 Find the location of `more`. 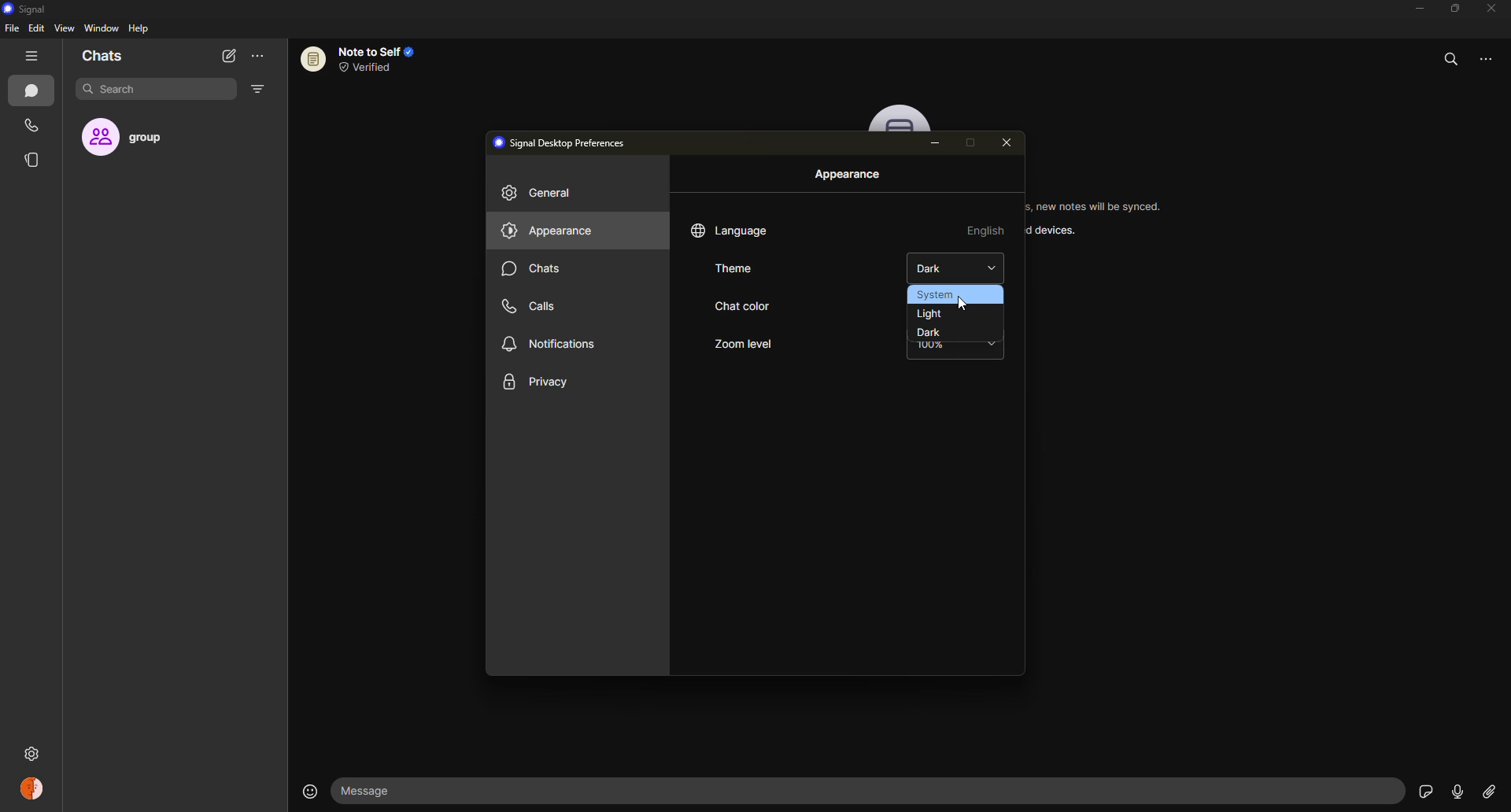

more is located at coordinates (257, 57).